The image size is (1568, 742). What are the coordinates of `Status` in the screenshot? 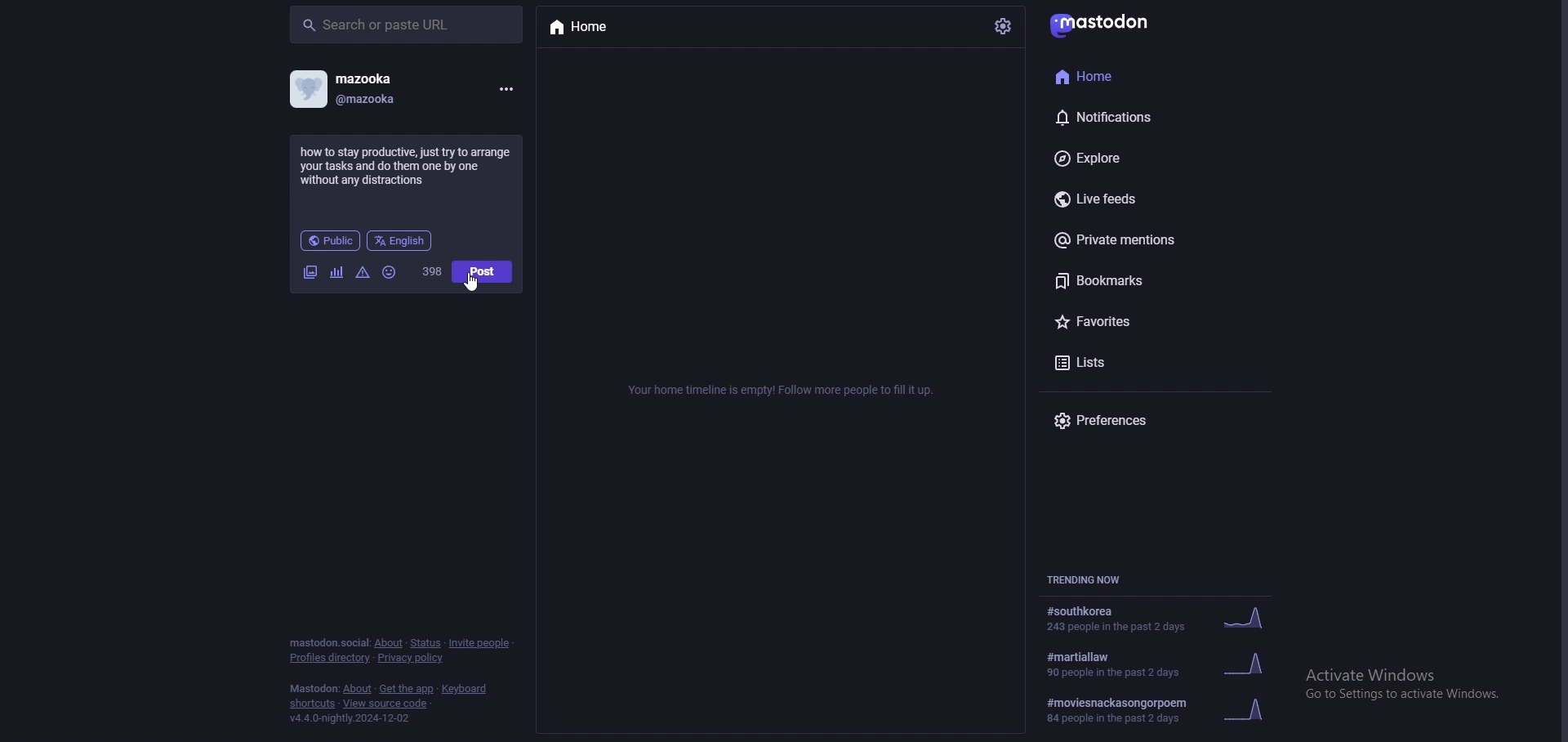 It's located at (425, 642).